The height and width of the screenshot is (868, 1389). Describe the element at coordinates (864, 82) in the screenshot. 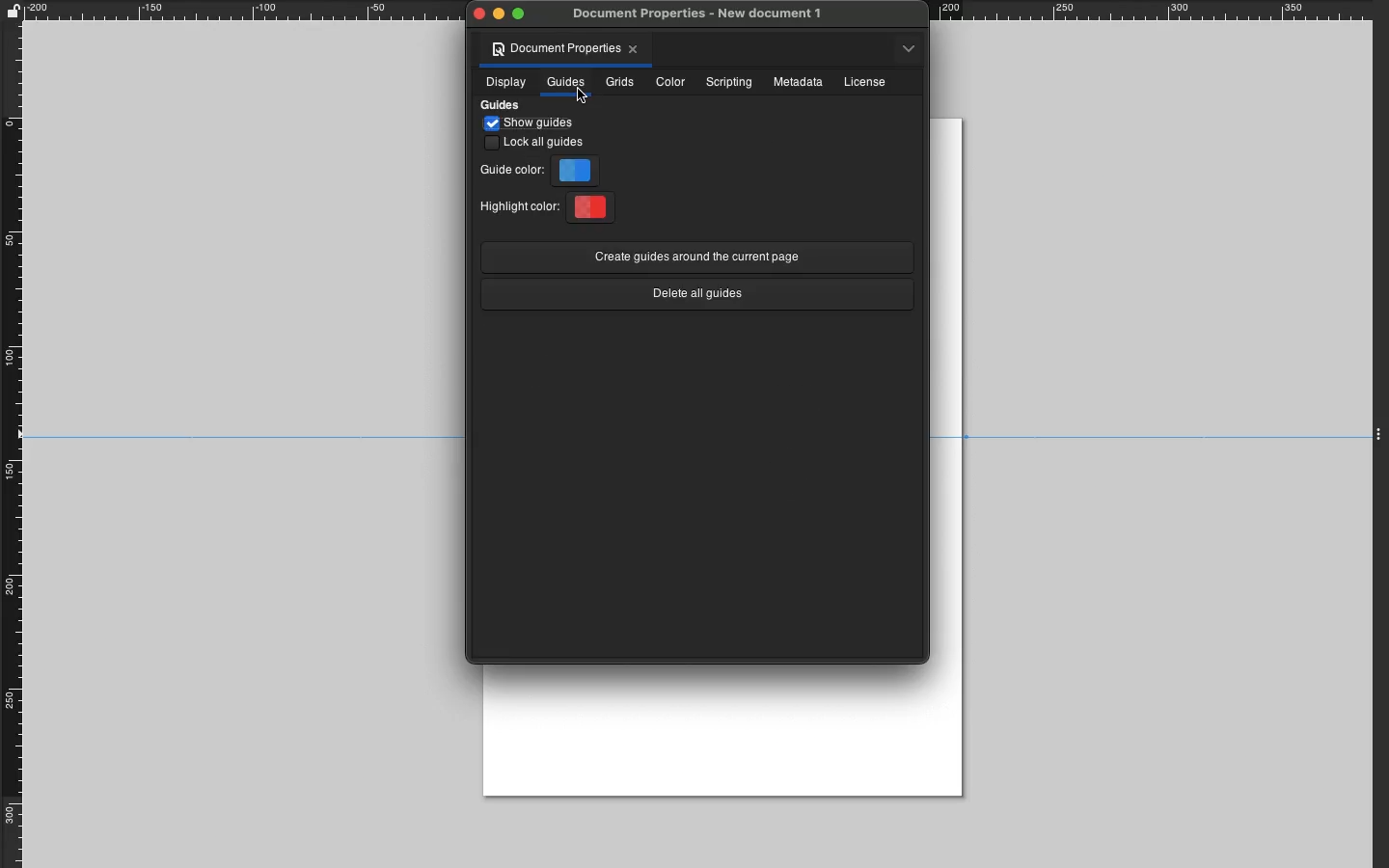

I see `License` at that location.